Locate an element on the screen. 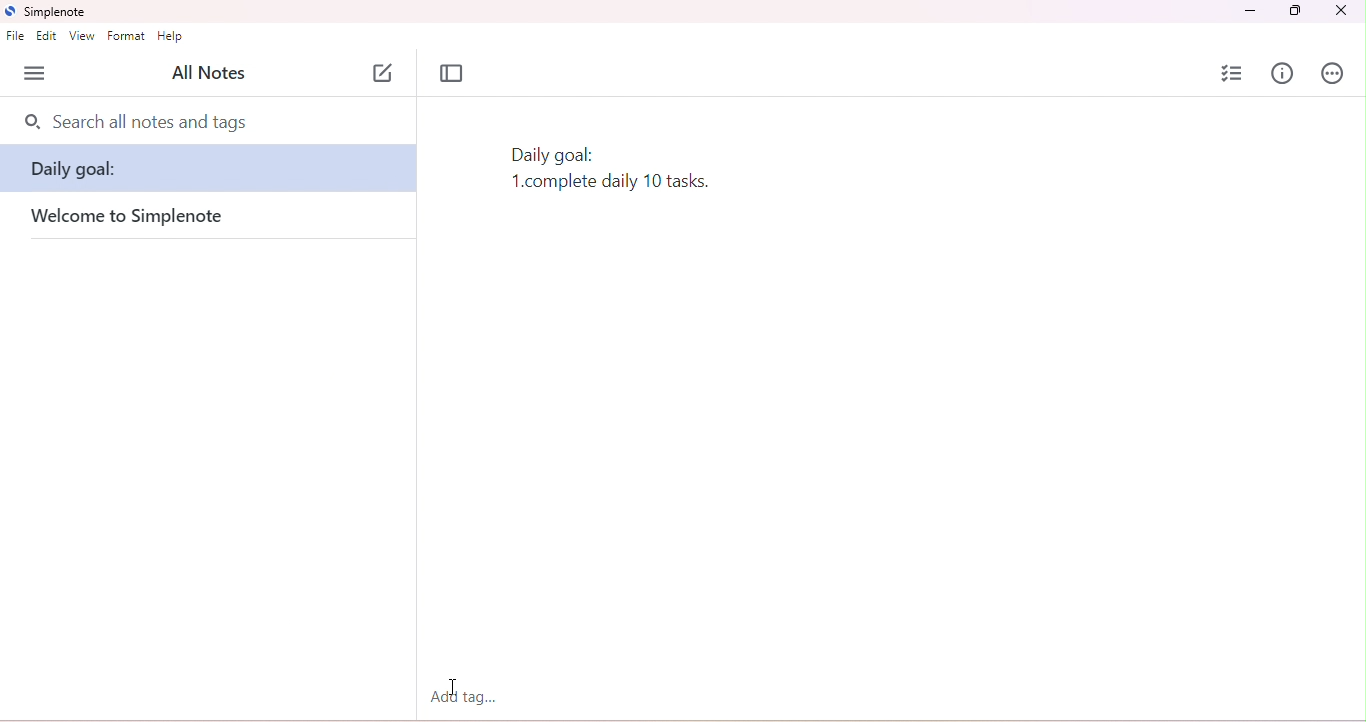 This screenshot has height=722, width=1366. actions is located at coordinates (1331, 73).